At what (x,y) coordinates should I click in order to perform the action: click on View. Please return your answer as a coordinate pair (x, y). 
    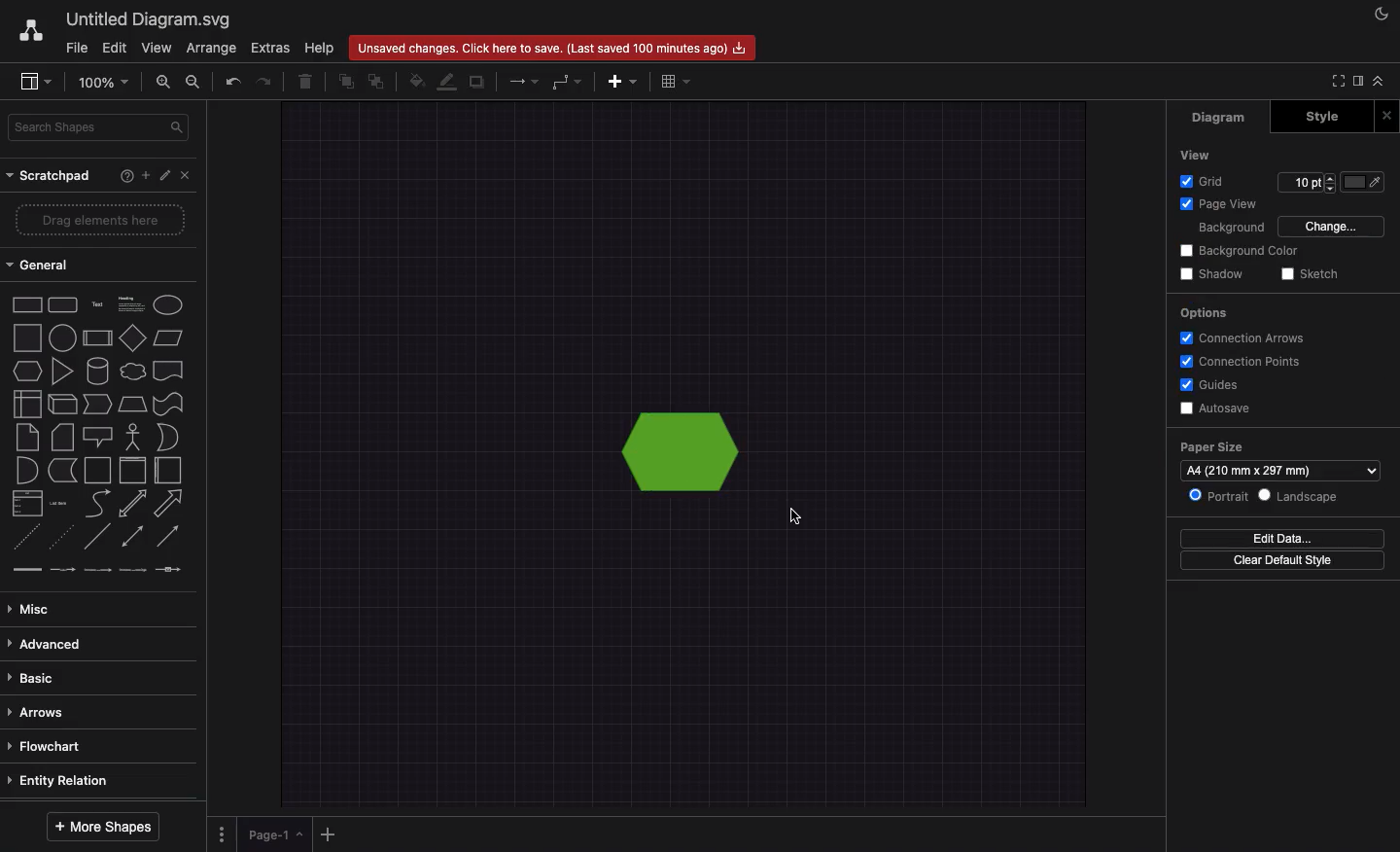
    Looking at the image, I should click on (1194, 155).